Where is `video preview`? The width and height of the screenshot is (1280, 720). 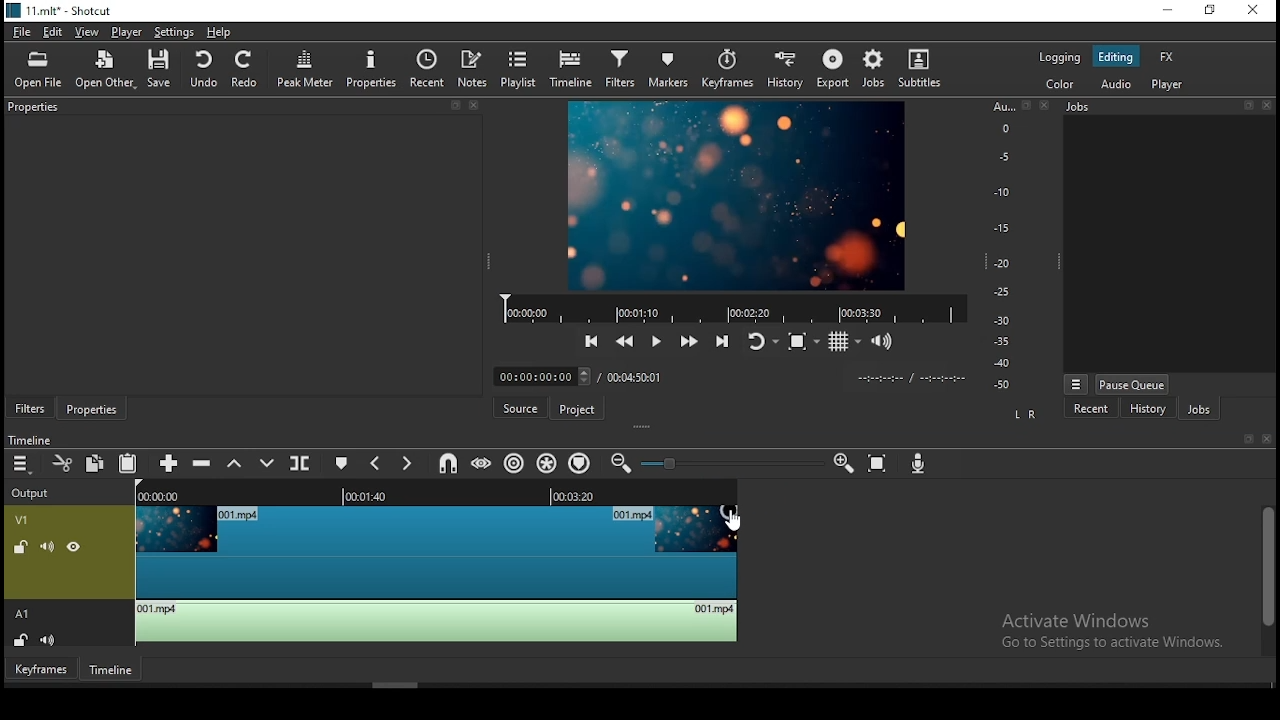 video preview is located at coordinates (729, 195).